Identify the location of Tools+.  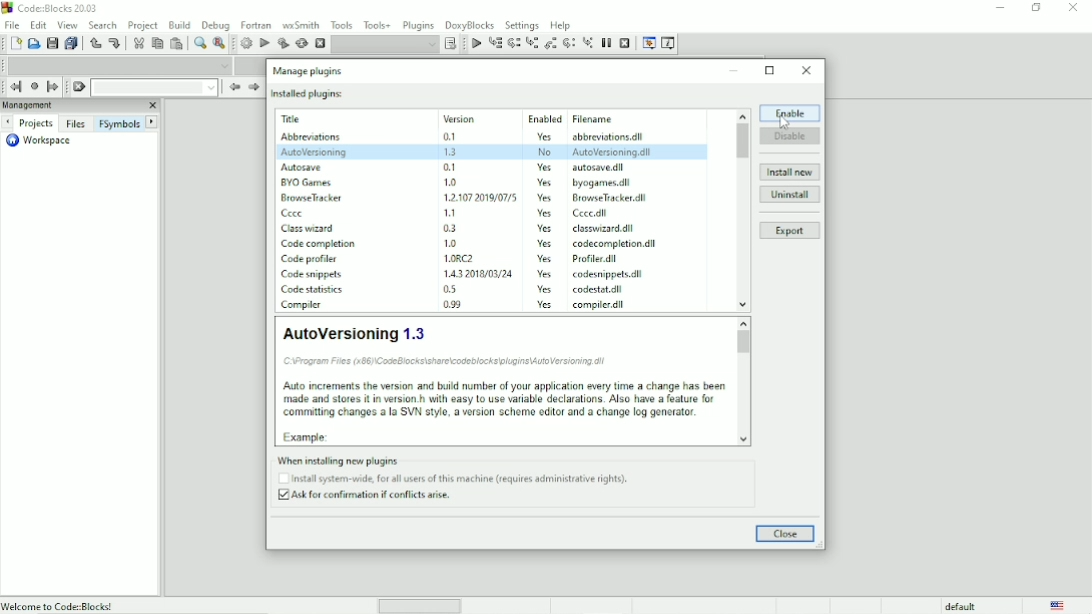
(377, 25).